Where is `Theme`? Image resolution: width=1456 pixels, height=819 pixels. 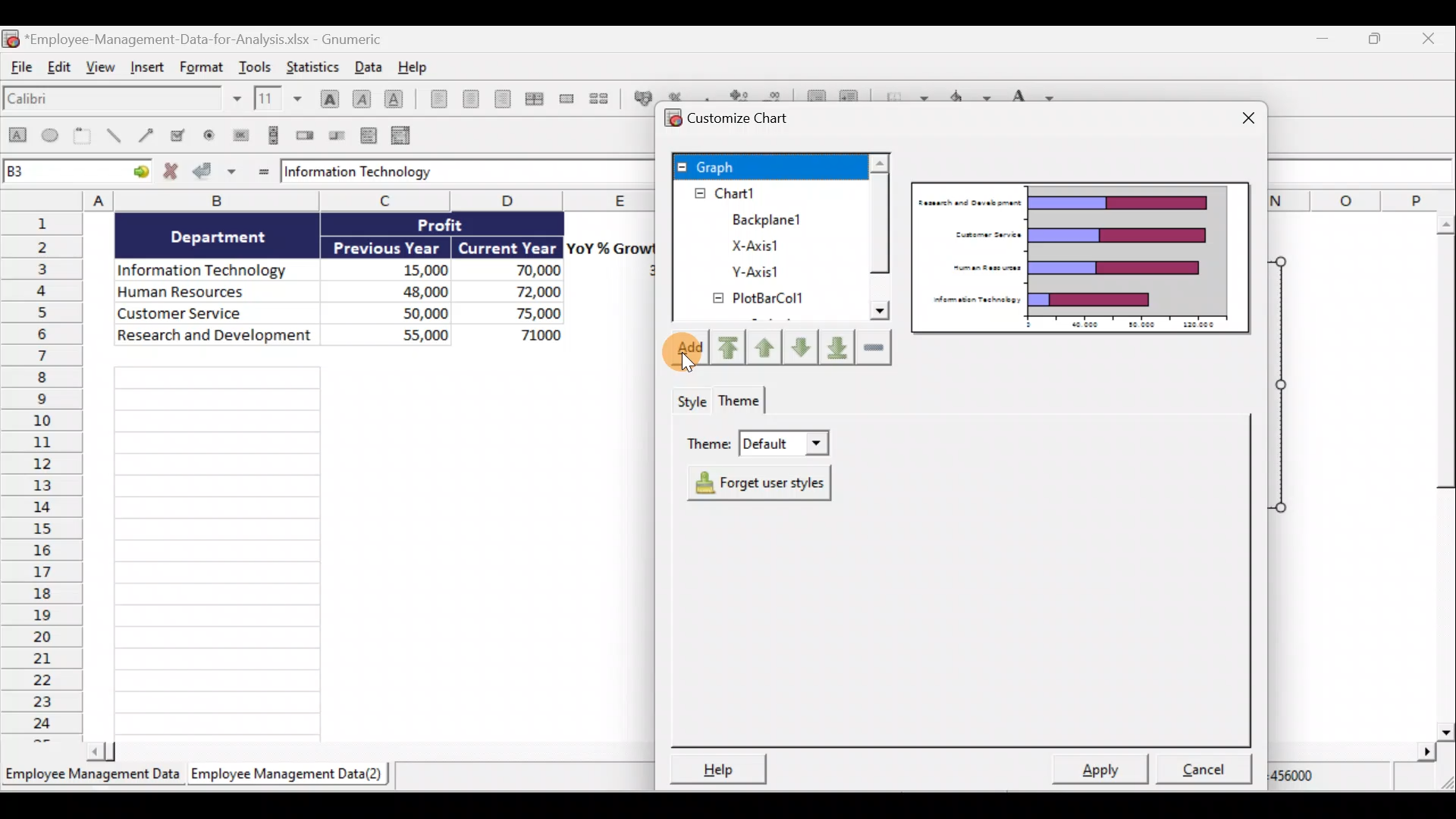 Theme is located at coordinates (741, 403).